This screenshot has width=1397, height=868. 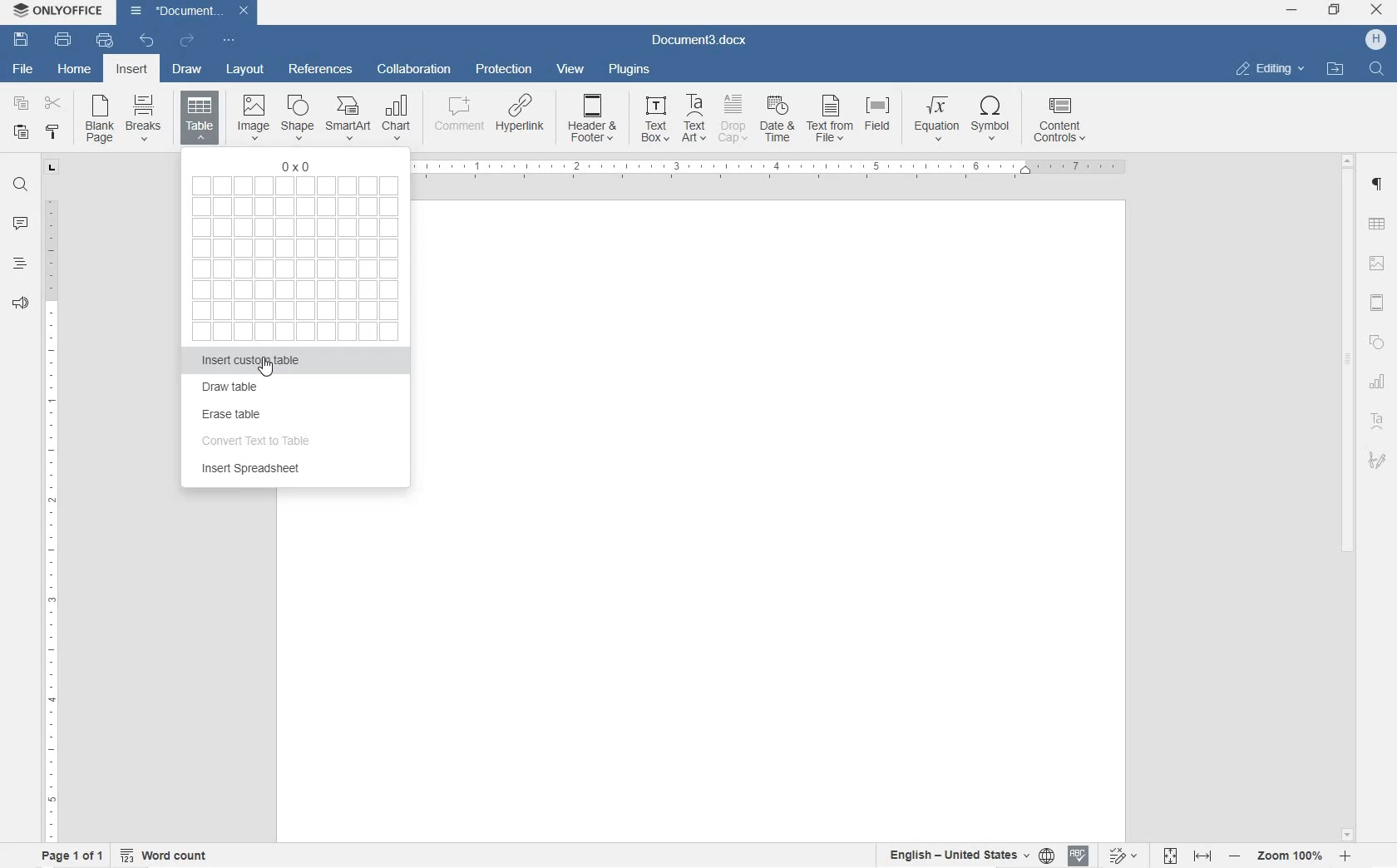 What do you see at coordinates (1291, 855) in the screenshot?
I see `ZOOM IN OR OUT` at bounding box center [1291, 855].